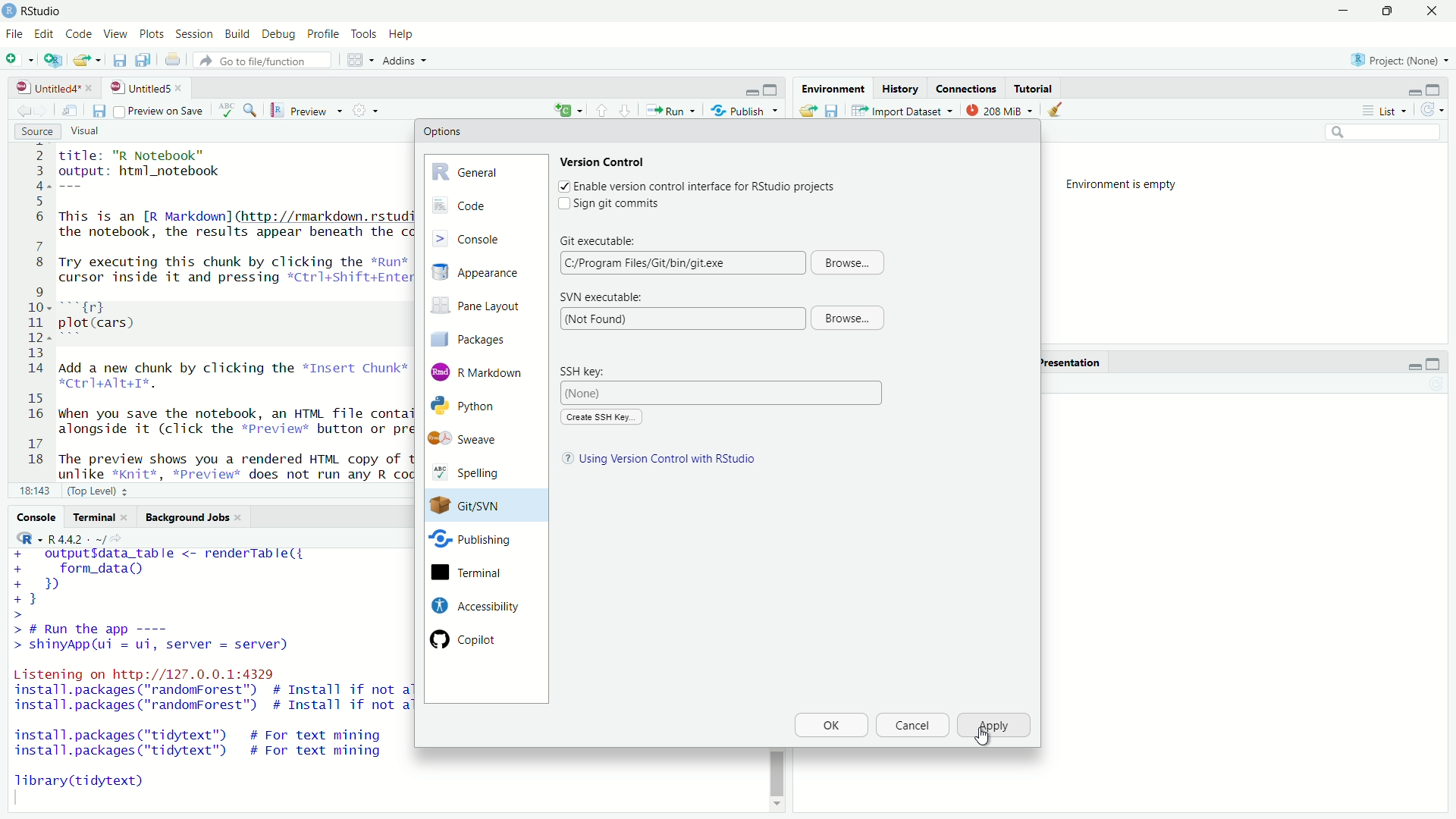 This screenshot has height=819, width=1456. What do you see at coordinates (602, 109) in the screenshot?
I see `down` at bounding box center [602, 109].